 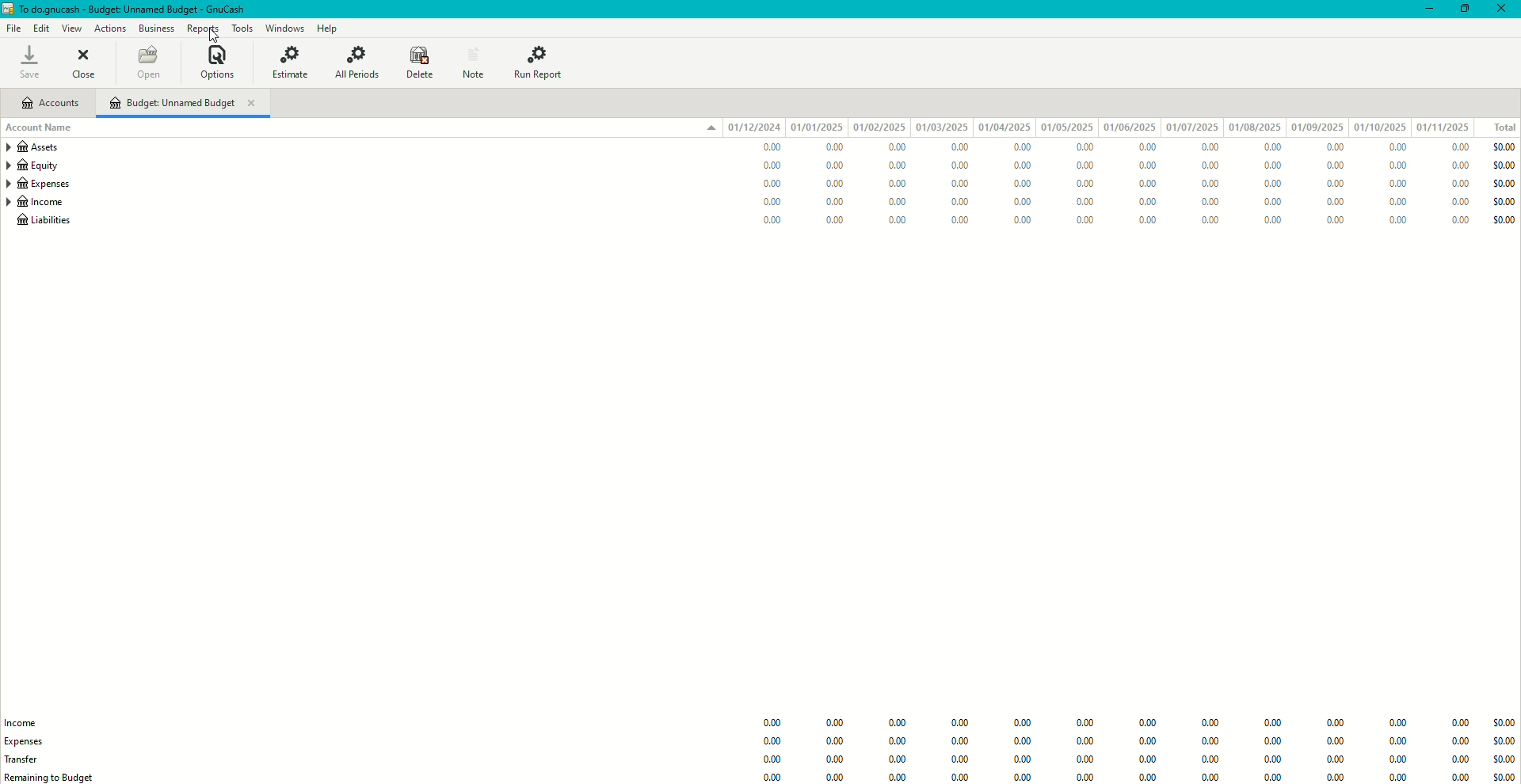 I want to click on 0.00, so click(x=1086, y=776).